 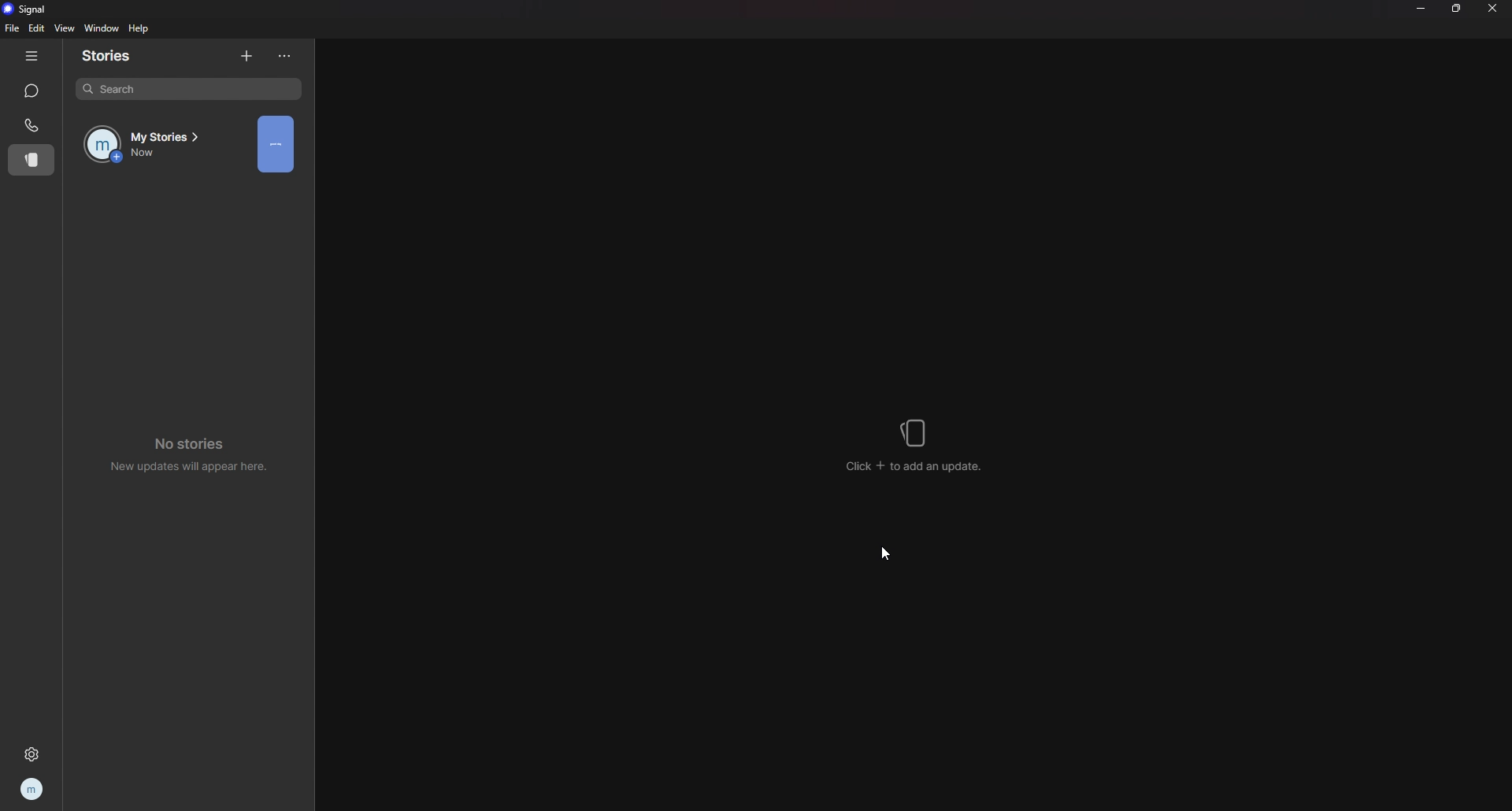 I want to click on window, so click(x=101, y=29).